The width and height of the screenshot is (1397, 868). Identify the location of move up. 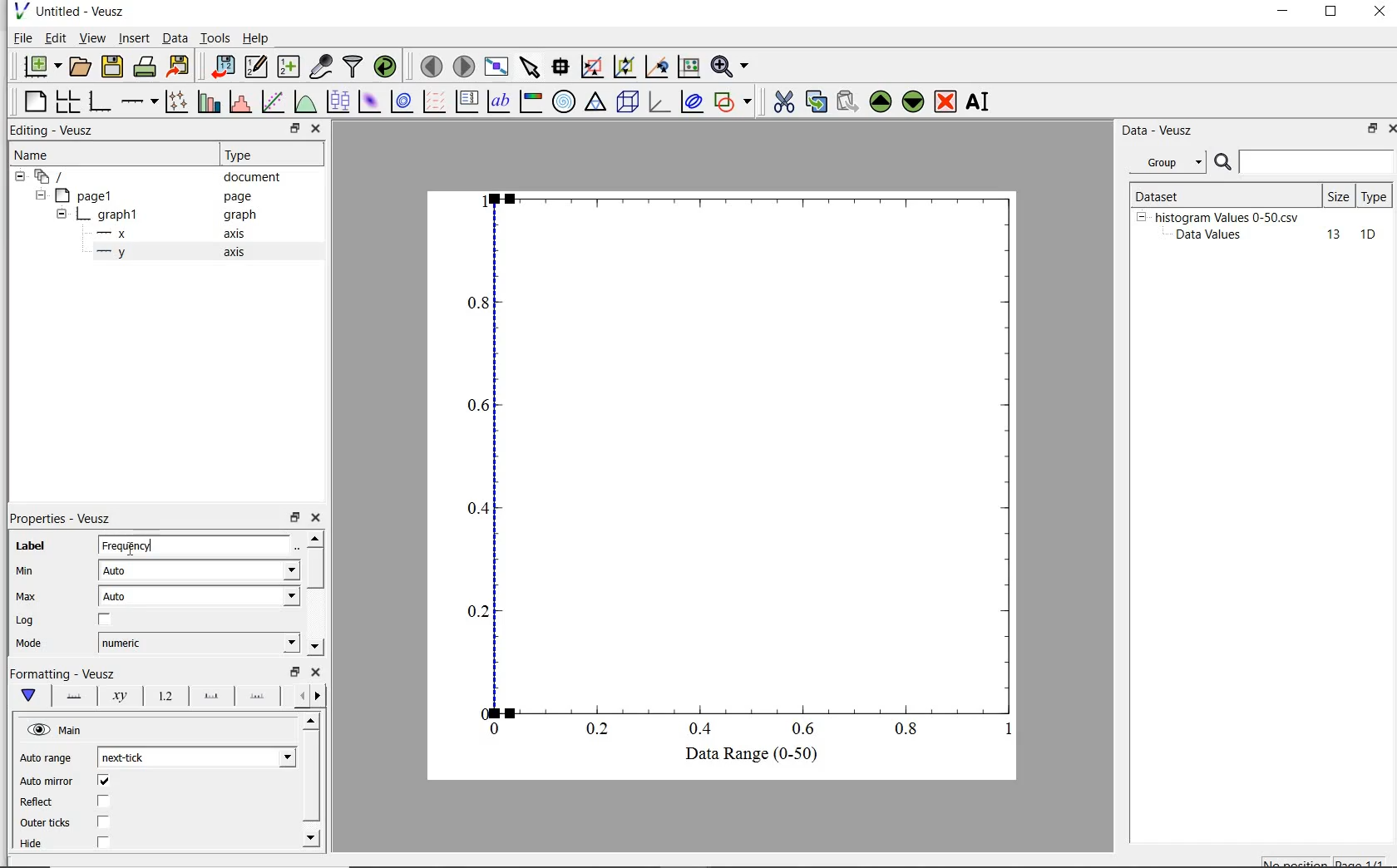
(312, 720).